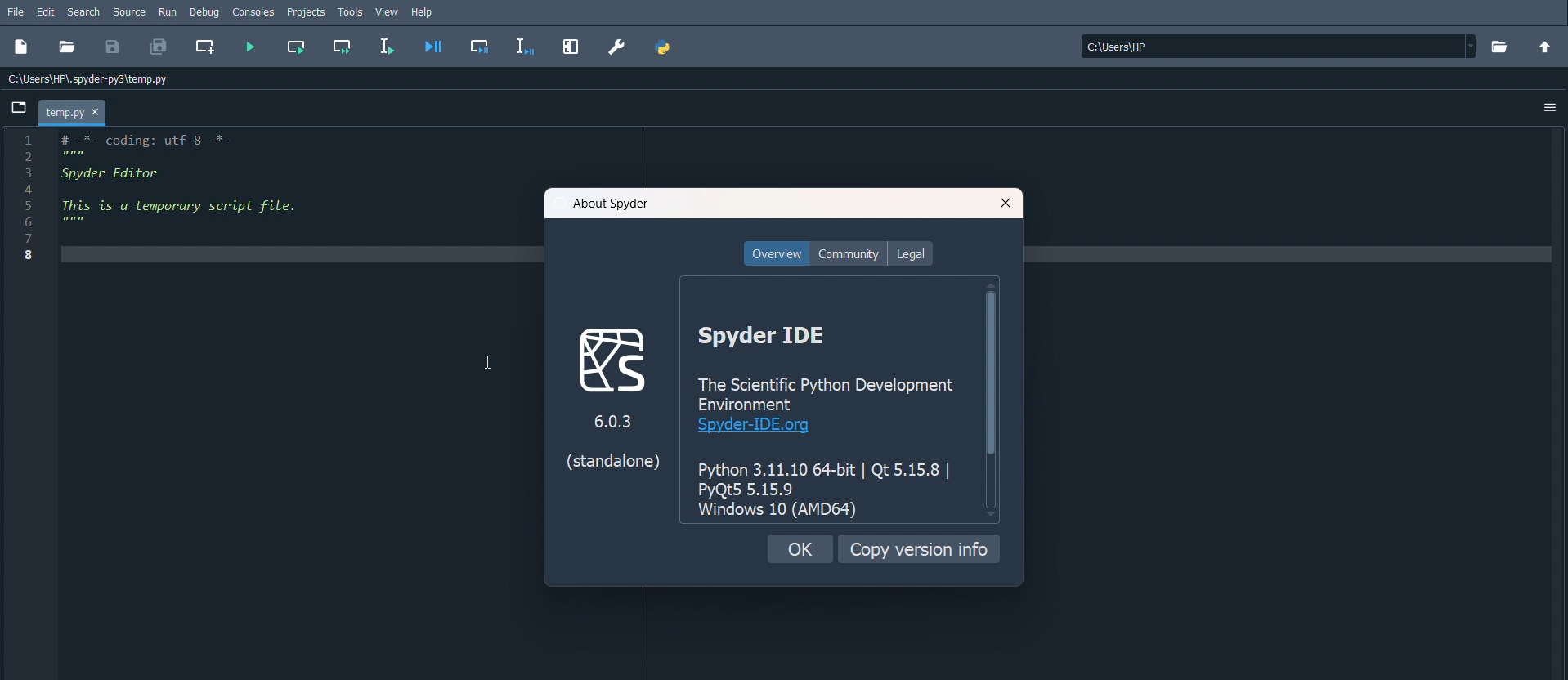  What do you see at coordinates (479, 46) in the screenshot?
I see `Debug cell` at bounding box center [479, 46].